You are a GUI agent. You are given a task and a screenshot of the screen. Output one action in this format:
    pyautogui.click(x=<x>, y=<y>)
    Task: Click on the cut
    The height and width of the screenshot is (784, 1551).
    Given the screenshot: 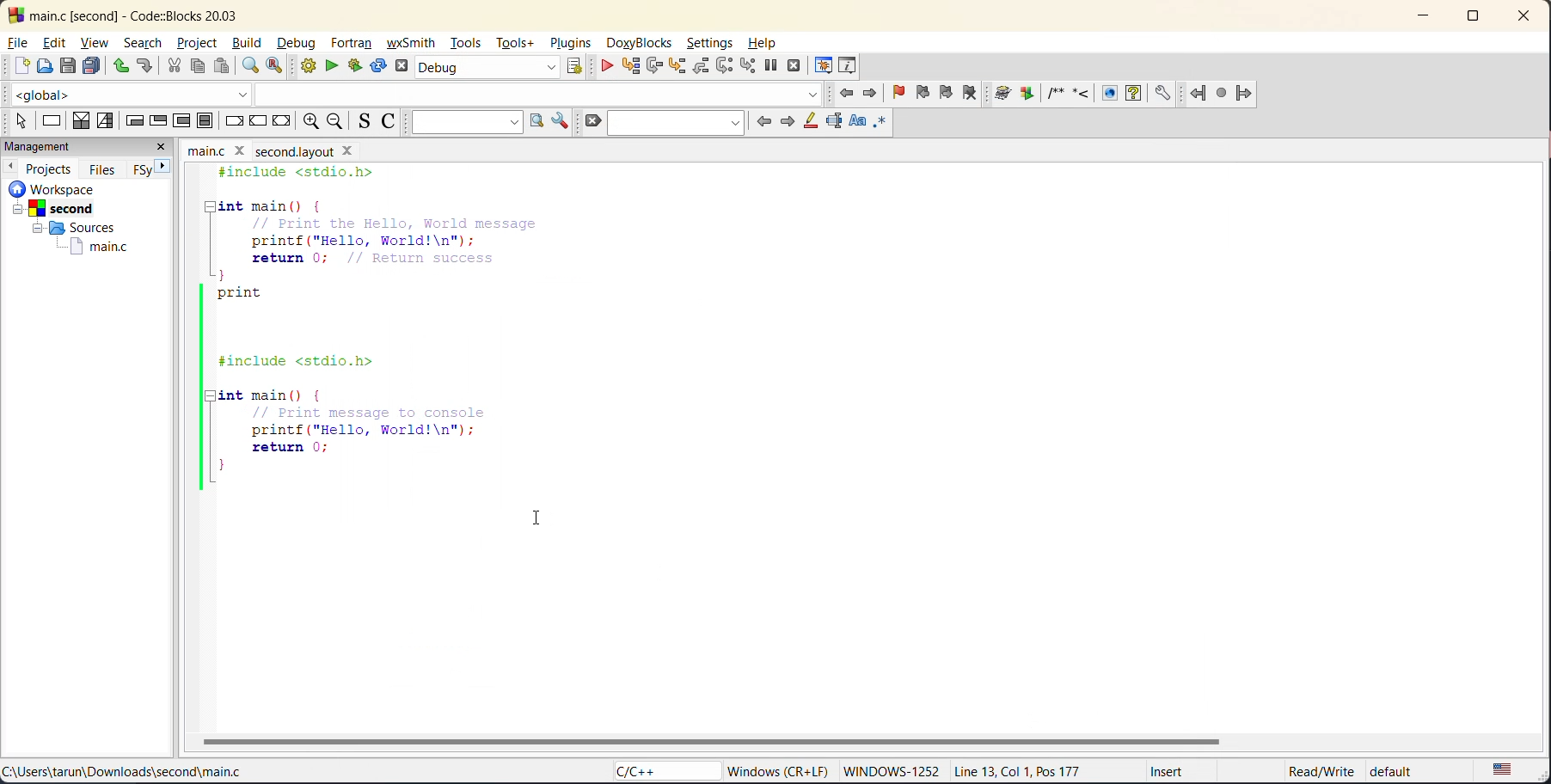 What is the action you would take?
    pyautogui.click(x=173, y=66)
    